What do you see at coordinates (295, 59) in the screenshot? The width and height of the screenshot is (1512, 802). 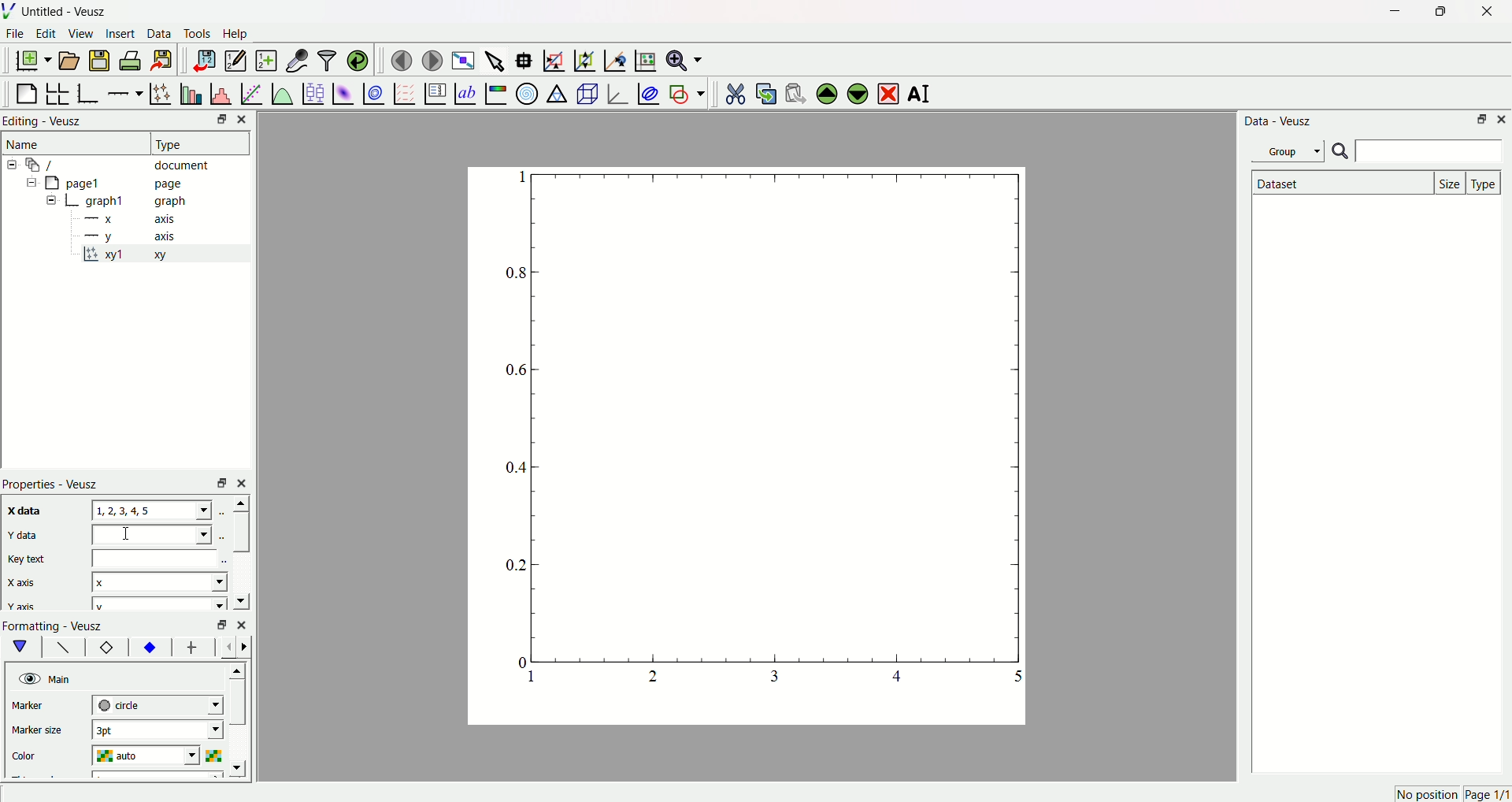 I see `capture remote datasets` at bounding box center [295, 59].